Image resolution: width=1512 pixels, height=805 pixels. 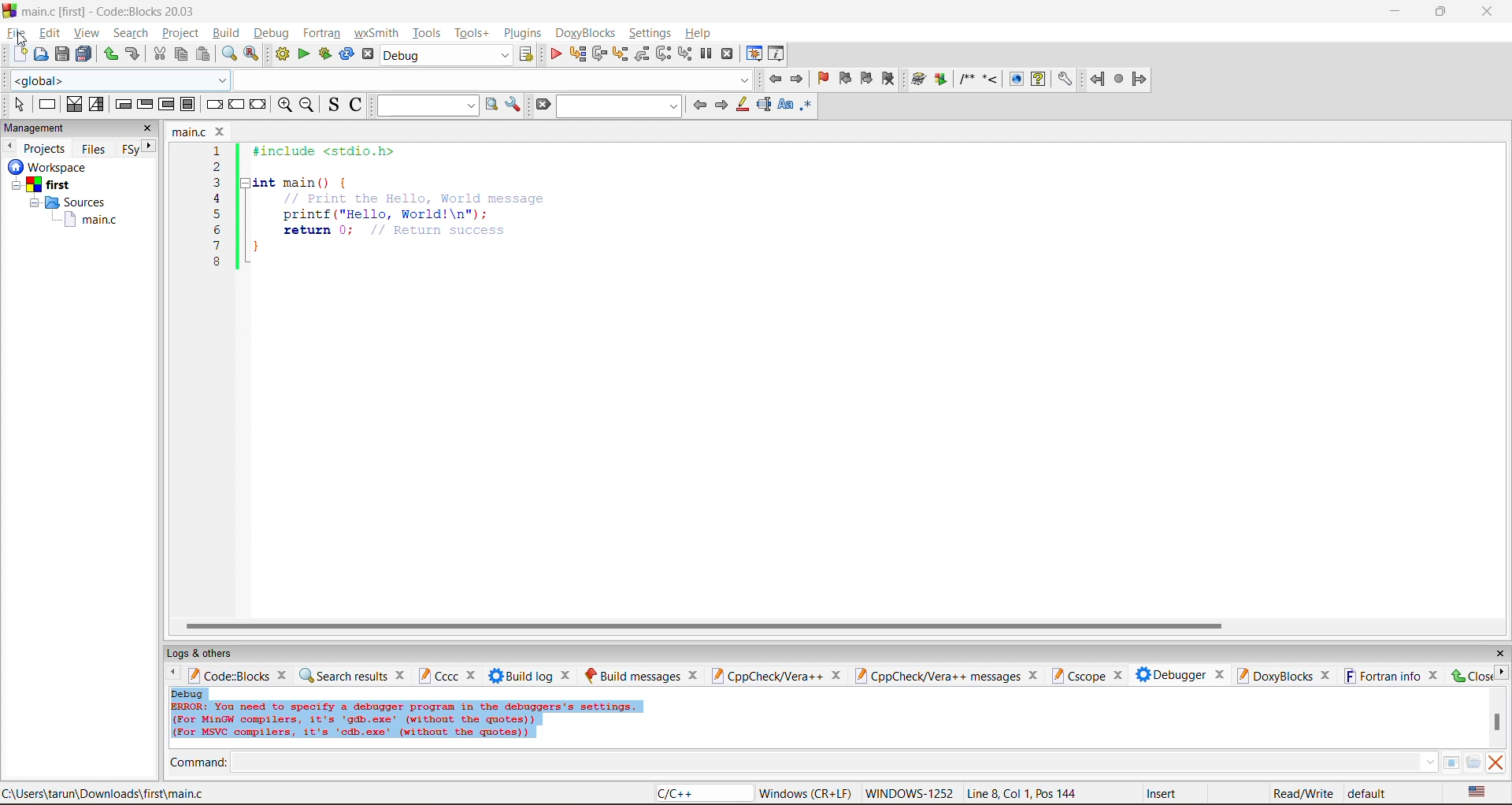 I want to click on build messages, so click(x=632, y=675).